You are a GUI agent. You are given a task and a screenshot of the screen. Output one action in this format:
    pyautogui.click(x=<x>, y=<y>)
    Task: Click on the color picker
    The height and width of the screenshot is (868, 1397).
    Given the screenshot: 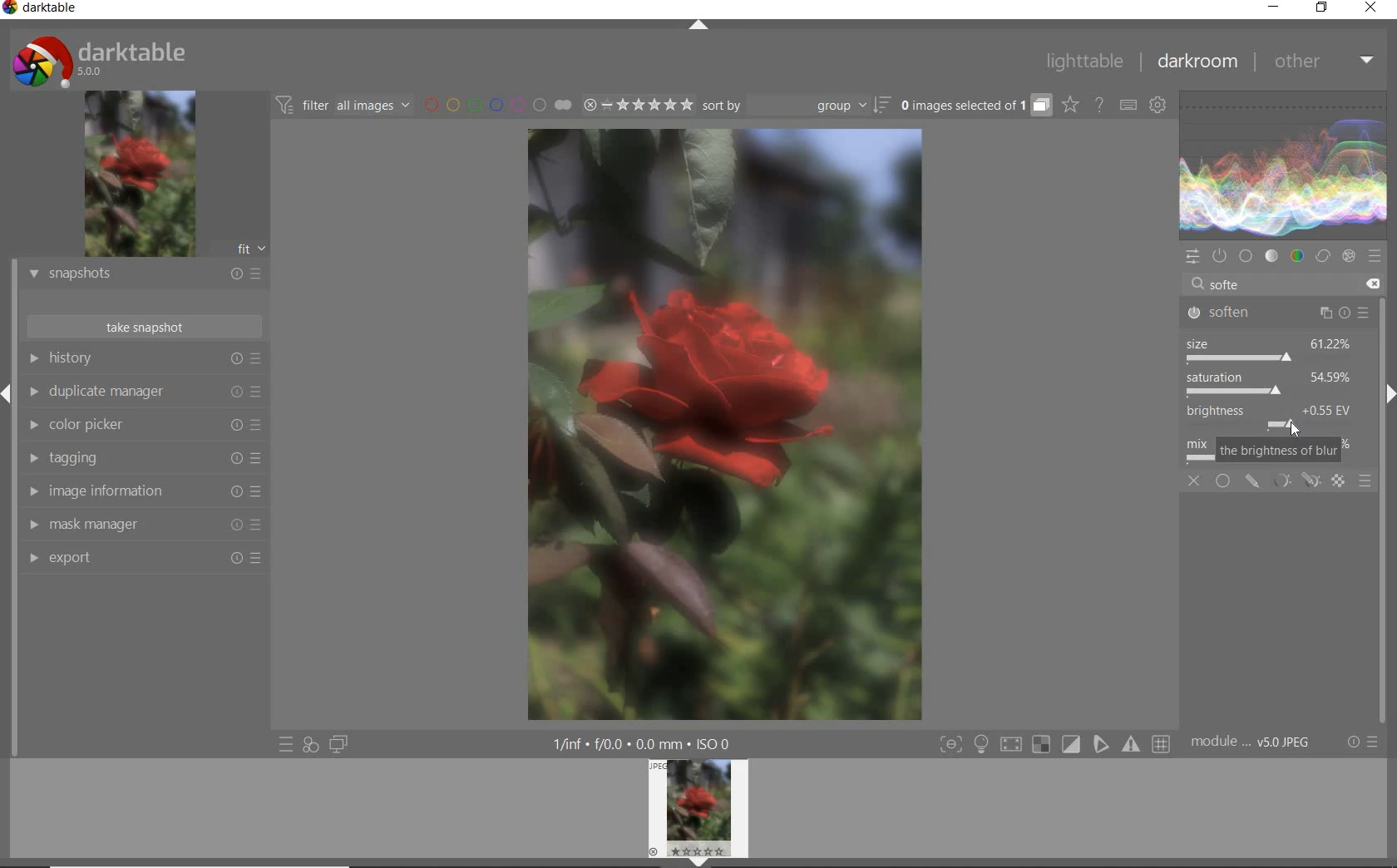 What is the action you would take?
    pyautogui.click(x=144, y=427)
    